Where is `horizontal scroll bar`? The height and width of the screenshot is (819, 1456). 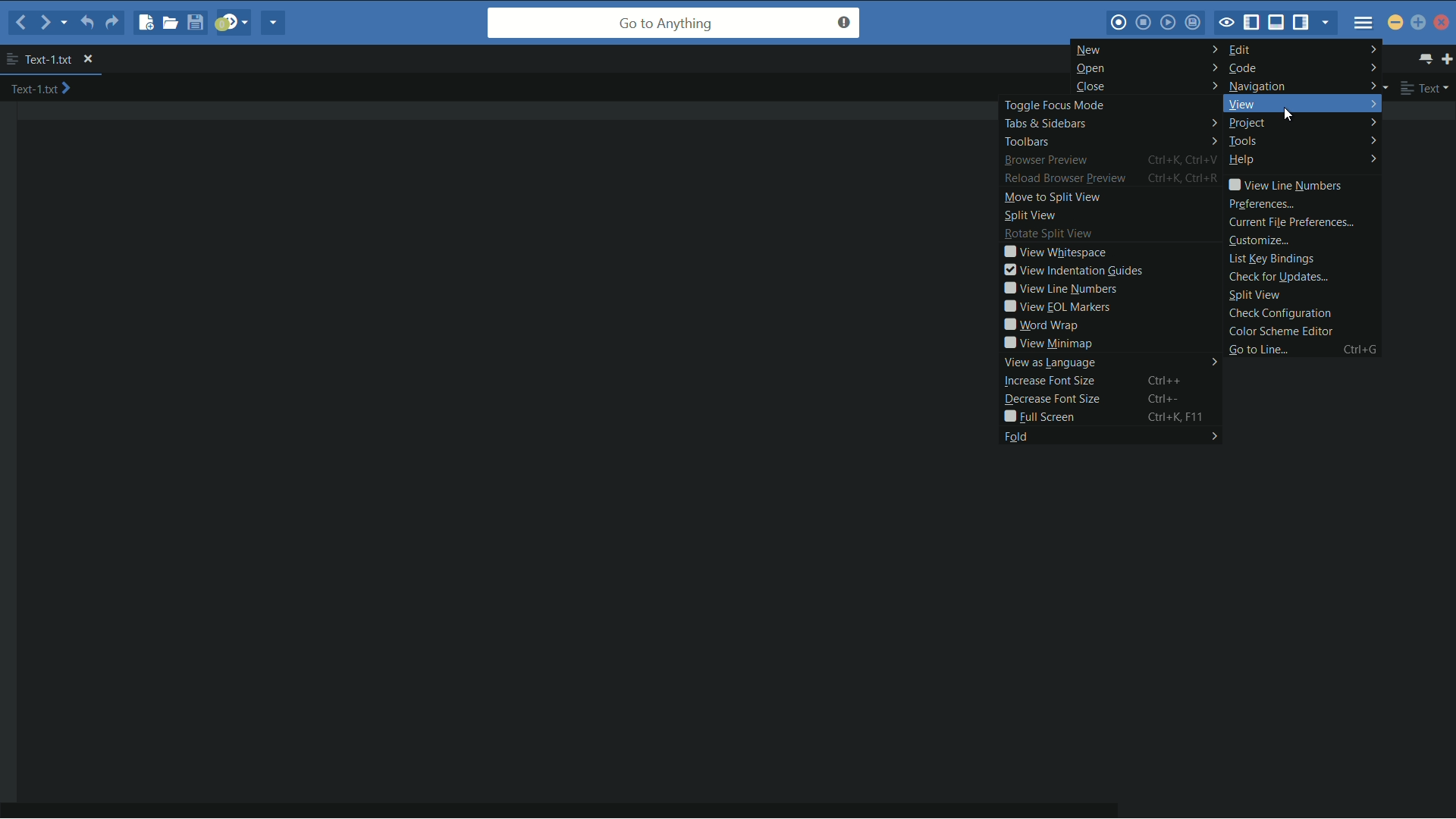 horizontal scroll bar is located at coordinates (580, 805).